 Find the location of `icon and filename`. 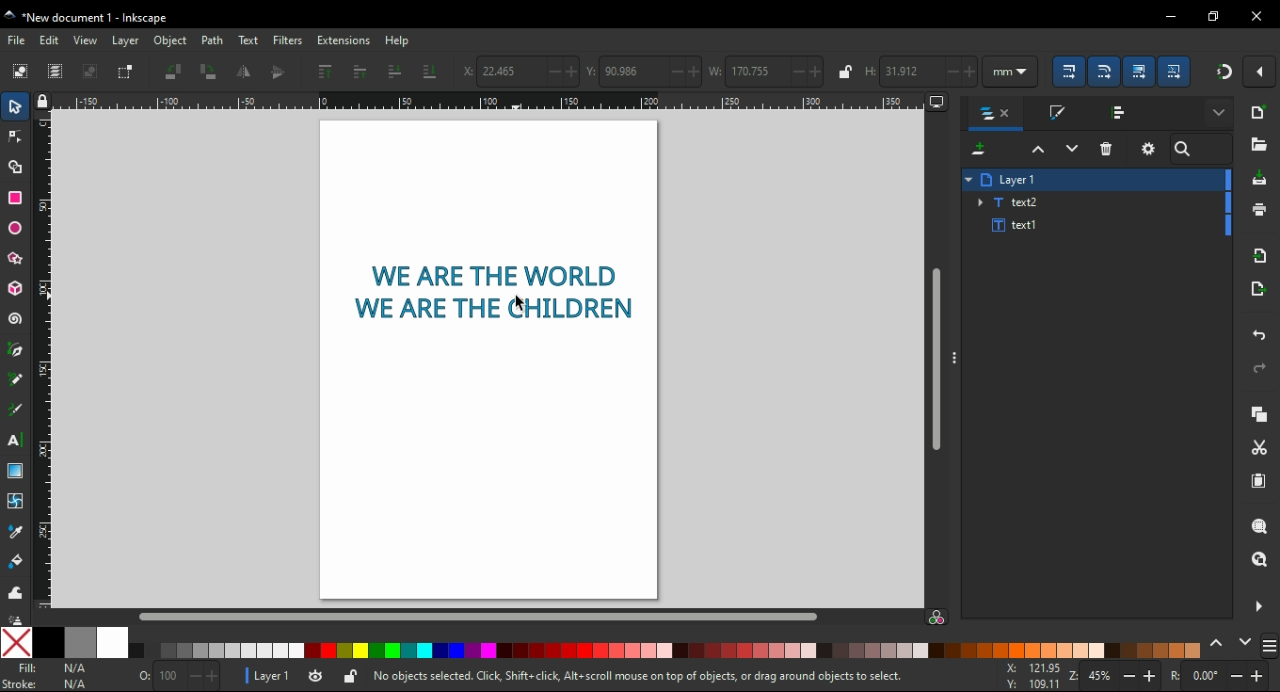

icon and filename is located at coordinates (88, 16).